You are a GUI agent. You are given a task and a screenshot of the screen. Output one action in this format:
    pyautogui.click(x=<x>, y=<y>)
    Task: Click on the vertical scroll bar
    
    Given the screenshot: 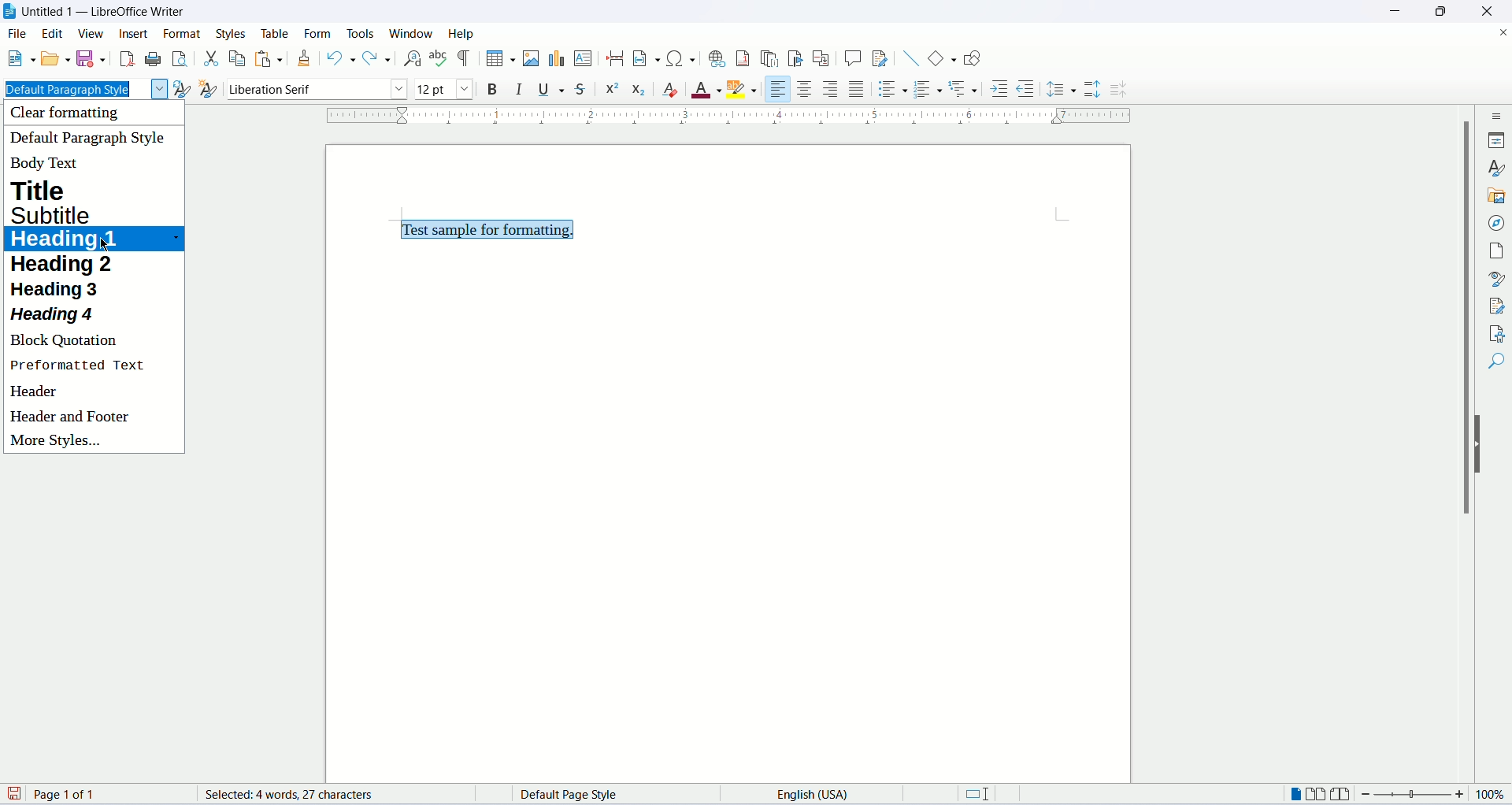 What is the action you would take?
    pyautogui.click(x=1462, y=448)
    